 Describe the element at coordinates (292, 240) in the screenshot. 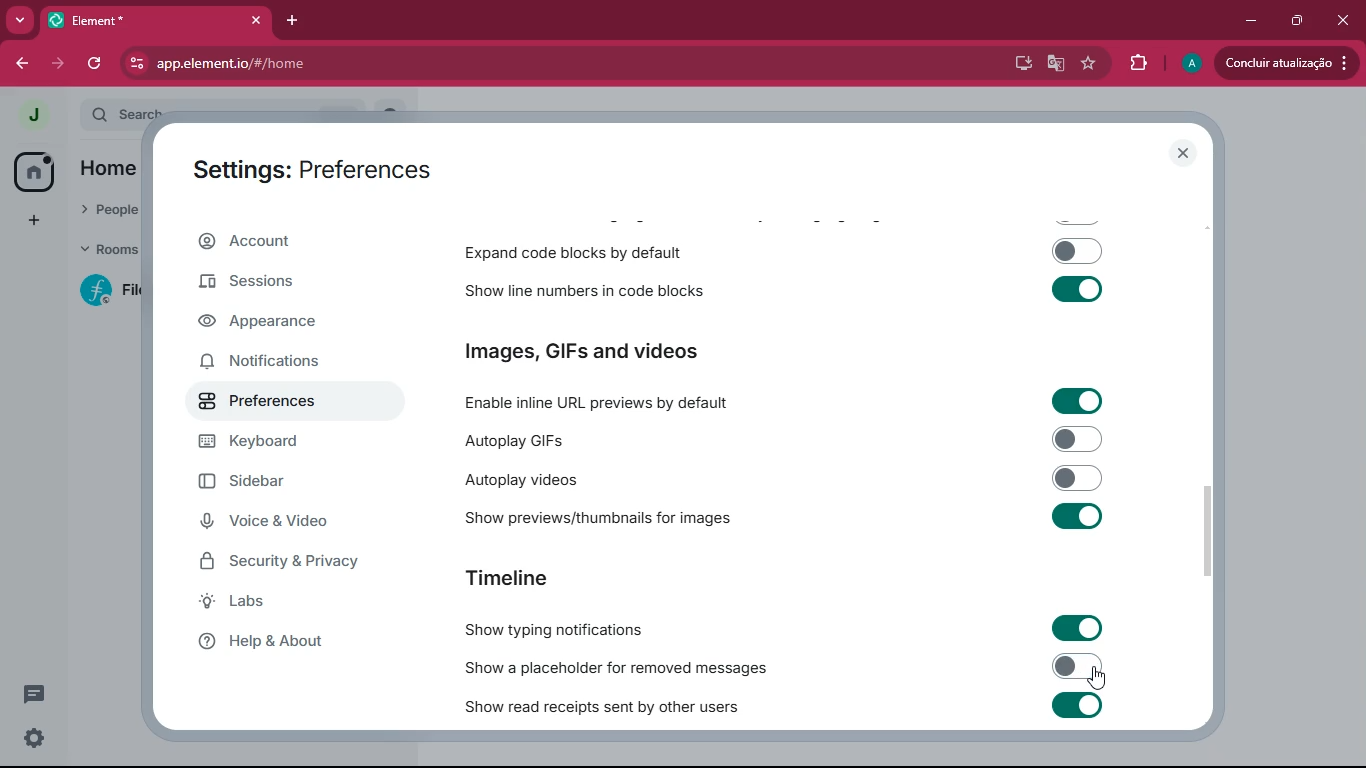

I see `account` at that location.